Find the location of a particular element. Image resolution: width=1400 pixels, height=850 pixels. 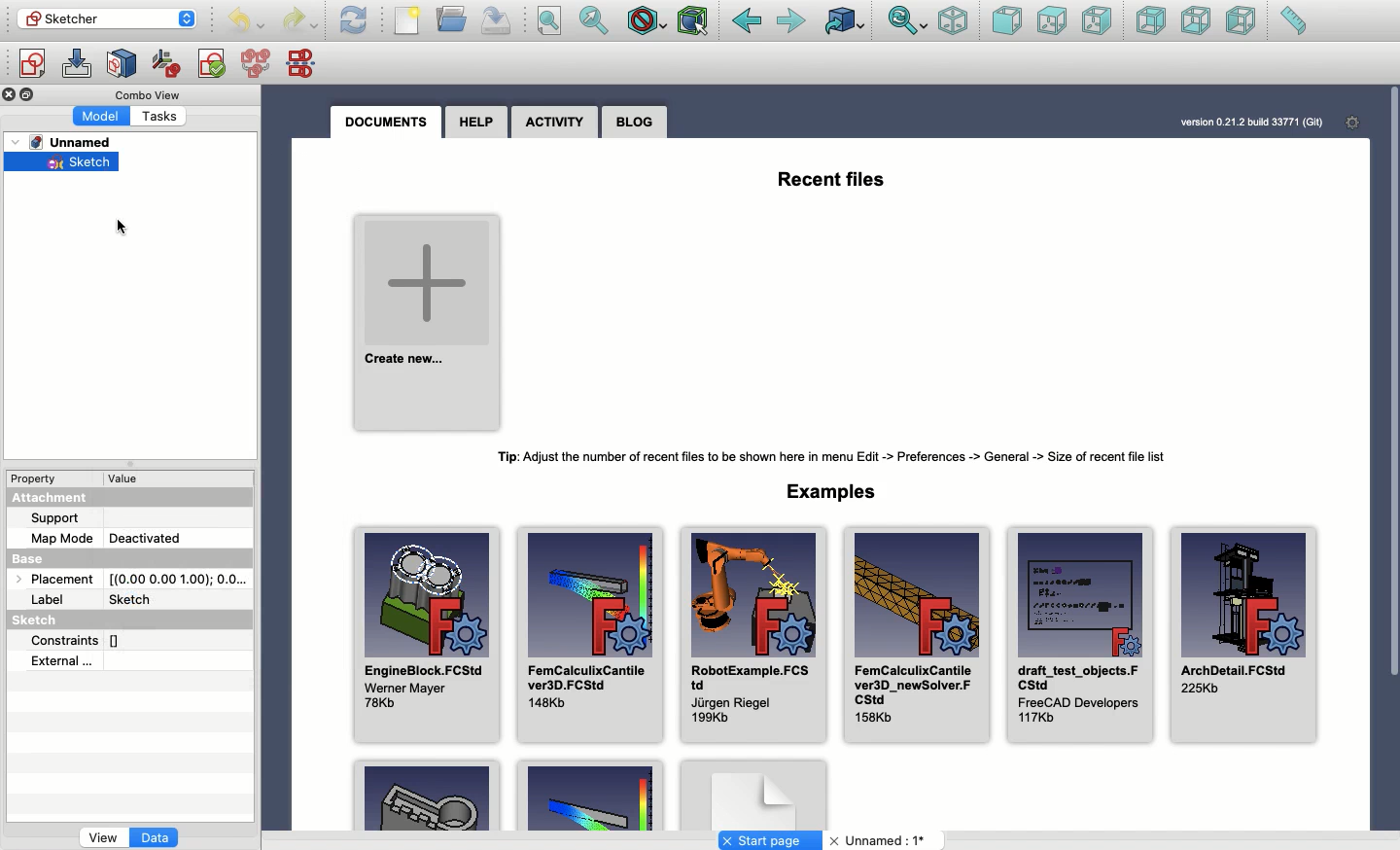

Right click (pointer) is located at coordinates (122, 228).